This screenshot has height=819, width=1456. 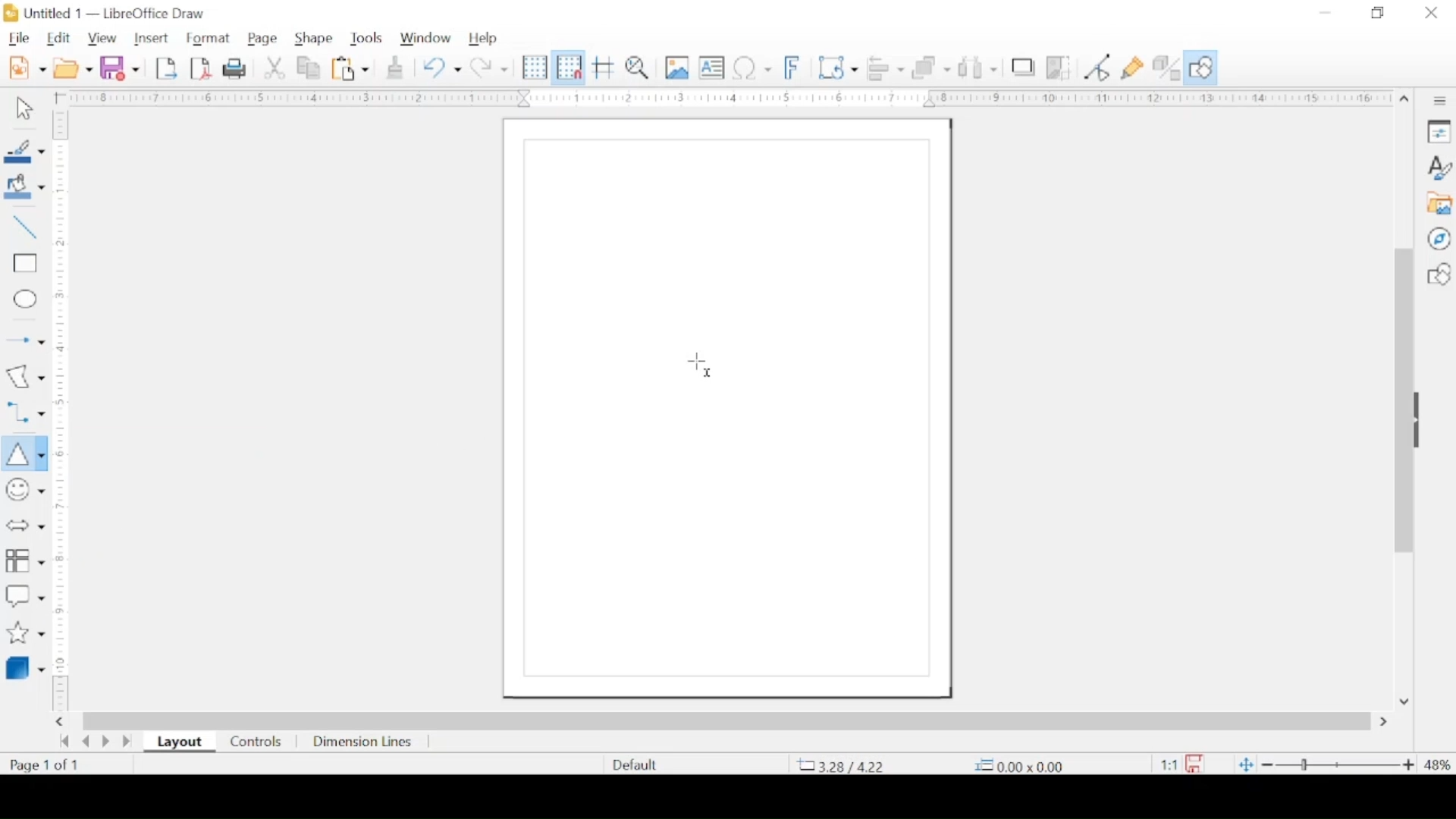 What do you see at coordinates (275, 68) in the screenshot?
I see `cut` at bounding box center [275, 68].